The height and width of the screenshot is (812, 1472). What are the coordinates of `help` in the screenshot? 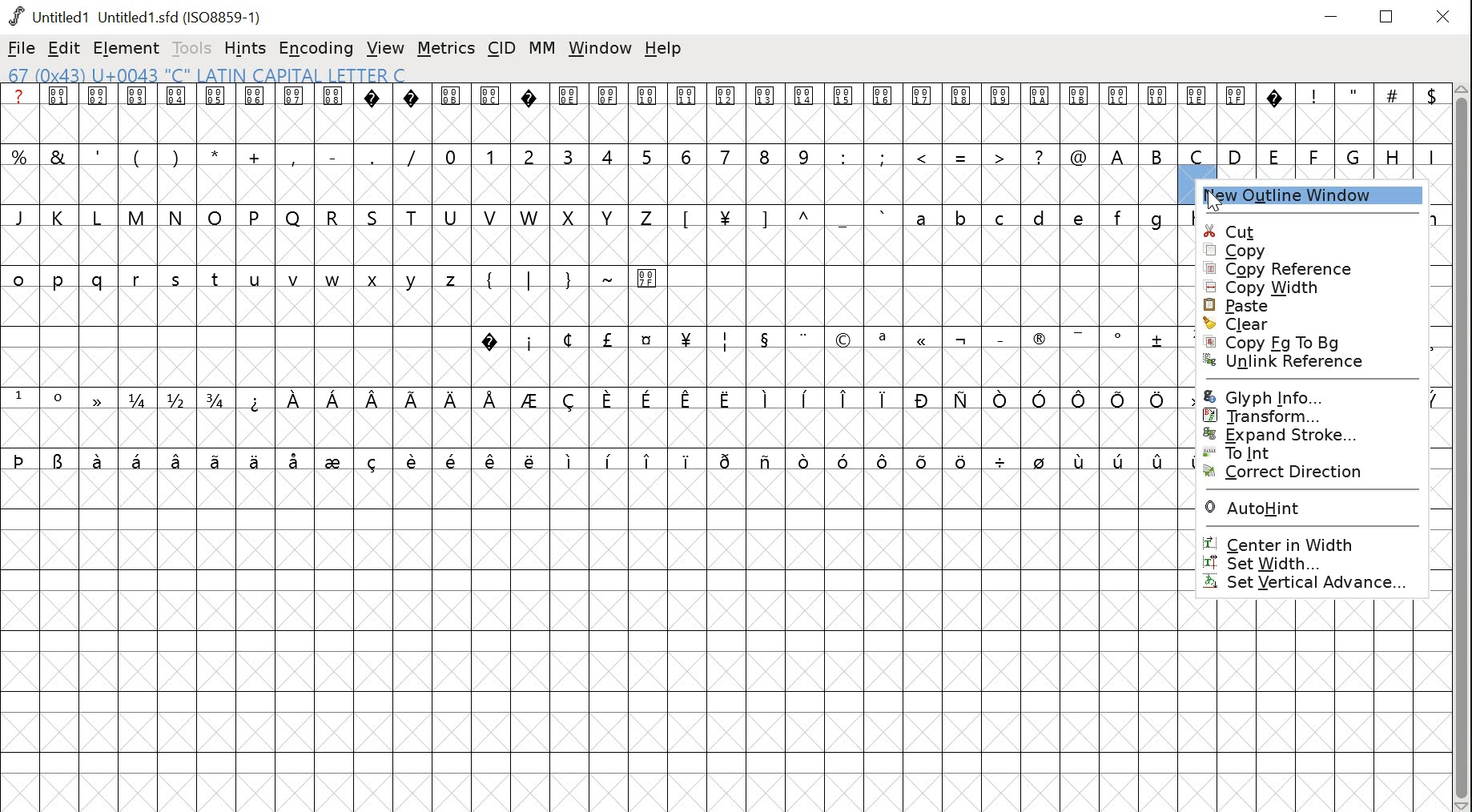 It's located at (664, 50).